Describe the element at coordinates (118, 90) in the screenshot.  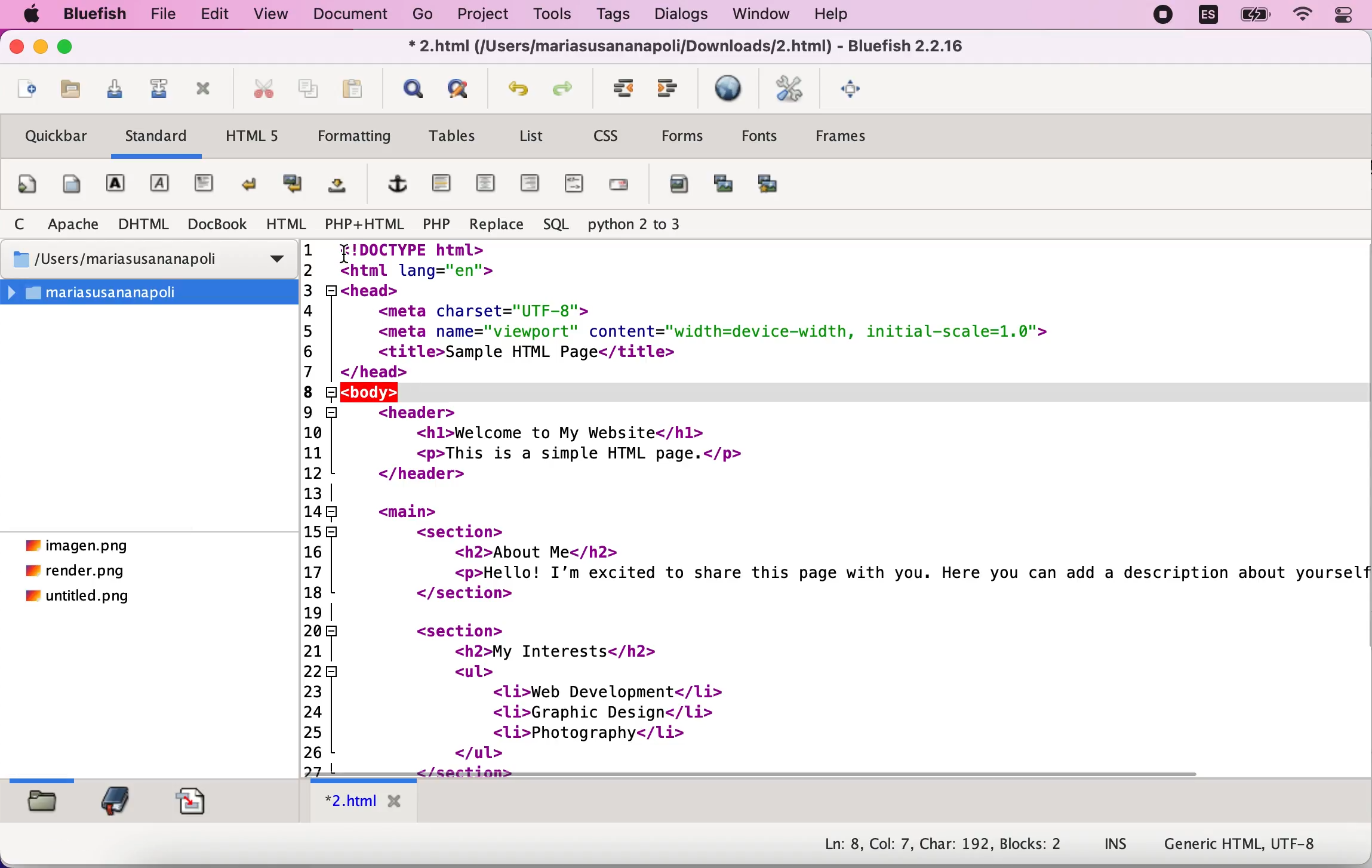
I see `save` at that location.